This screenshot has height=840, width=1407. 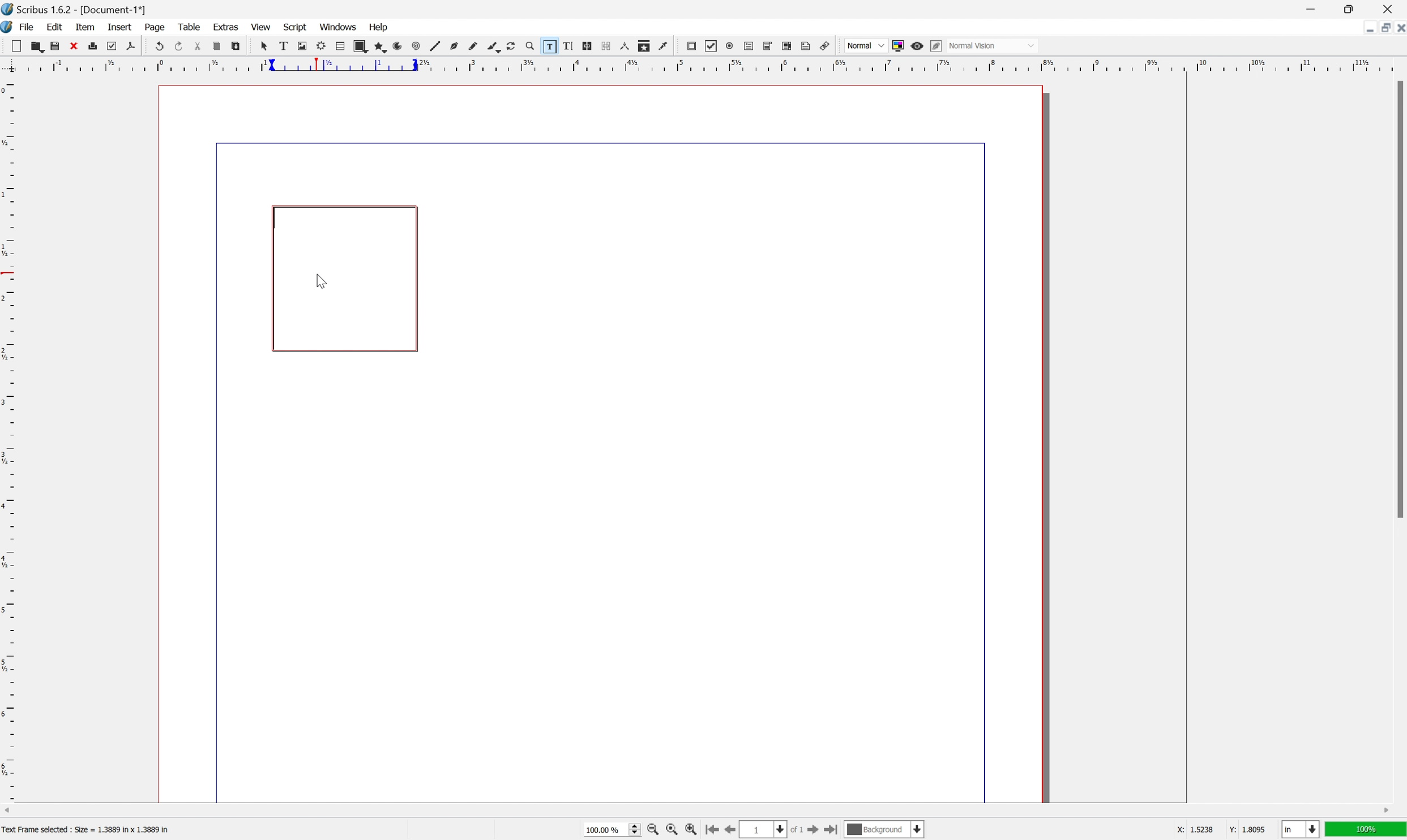 I want to click on cut, so click(x=198, y=46).